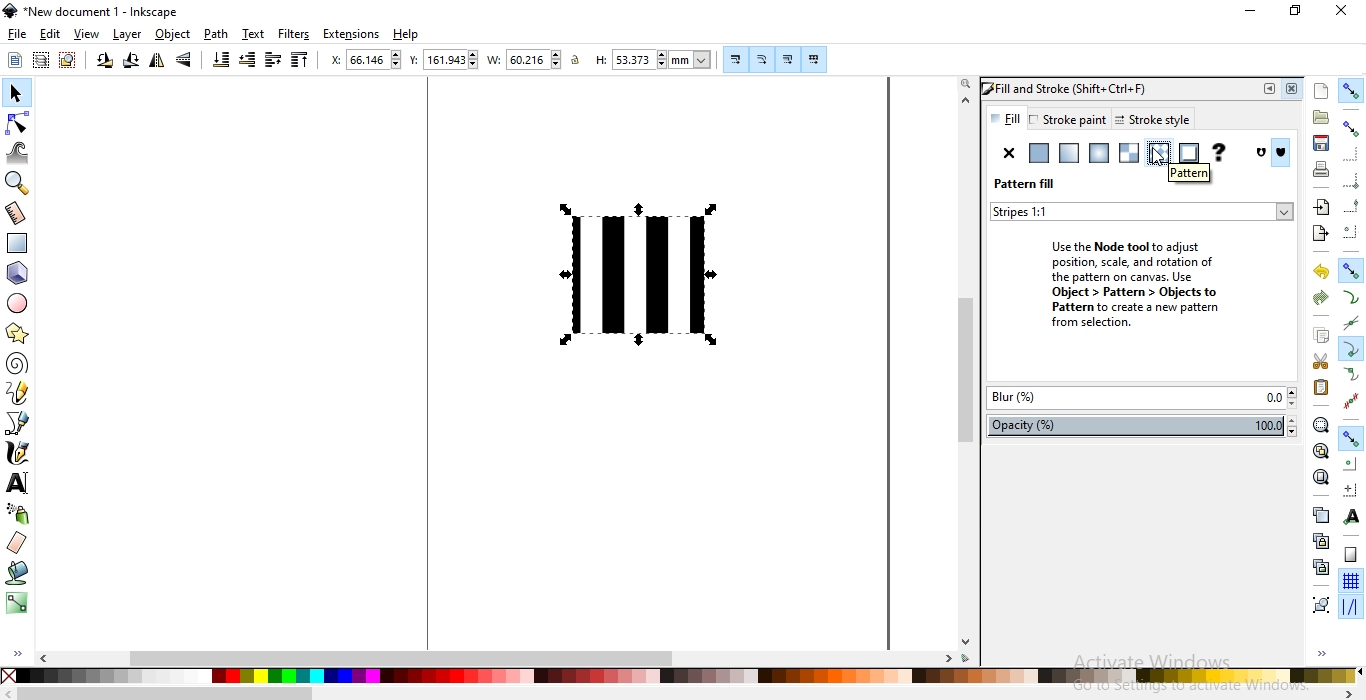 The image size is (1366, 700). I want to click on edit paths by nodes, so click(18, 122).